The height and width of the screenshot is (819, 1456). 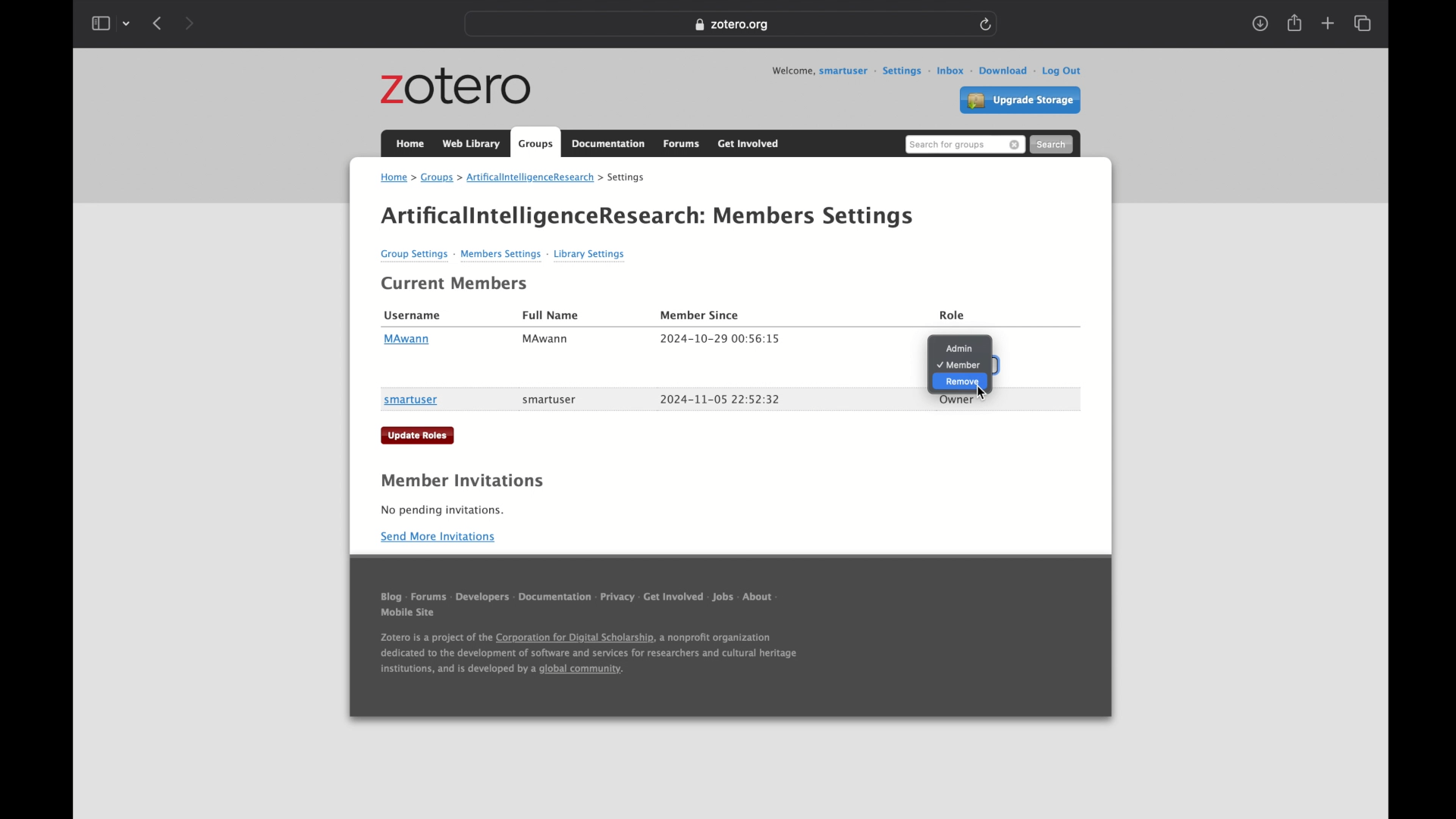 What do you see at coordinates (723, 600) in the screenshot?
I see `jobs` at bounding box center [723, 600].